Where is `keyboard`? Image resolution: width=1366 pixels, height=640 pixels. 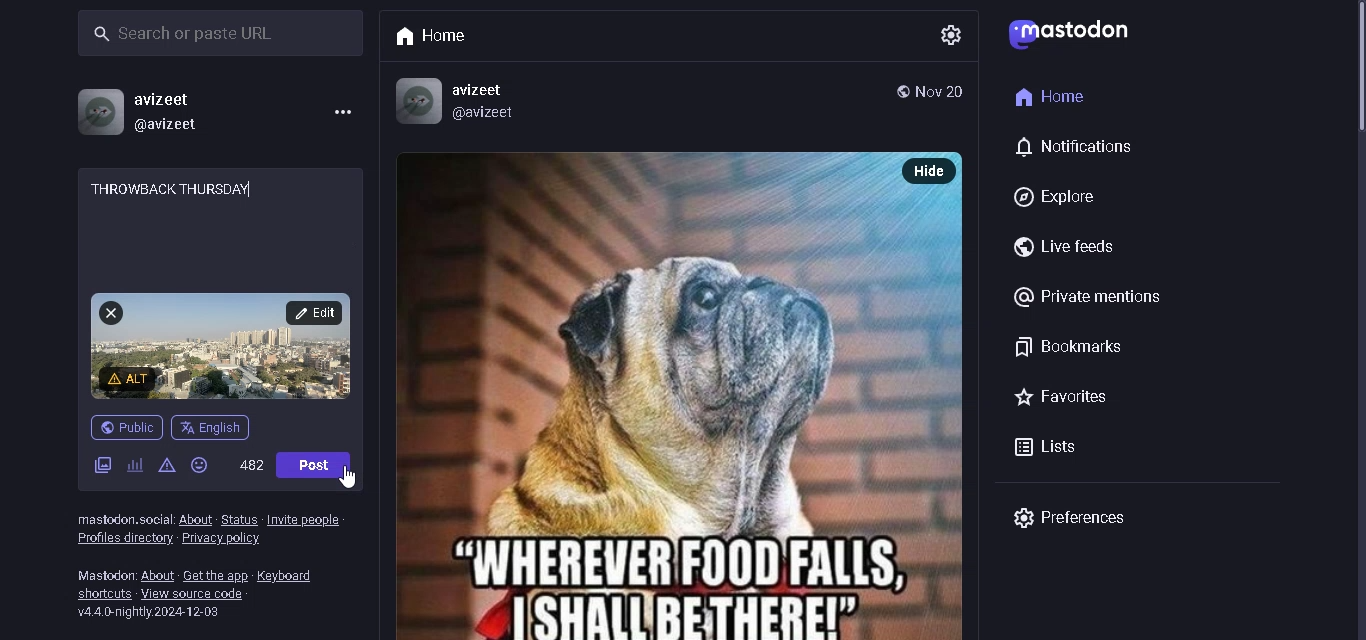 keyboard is located at coordinates (291, 576).